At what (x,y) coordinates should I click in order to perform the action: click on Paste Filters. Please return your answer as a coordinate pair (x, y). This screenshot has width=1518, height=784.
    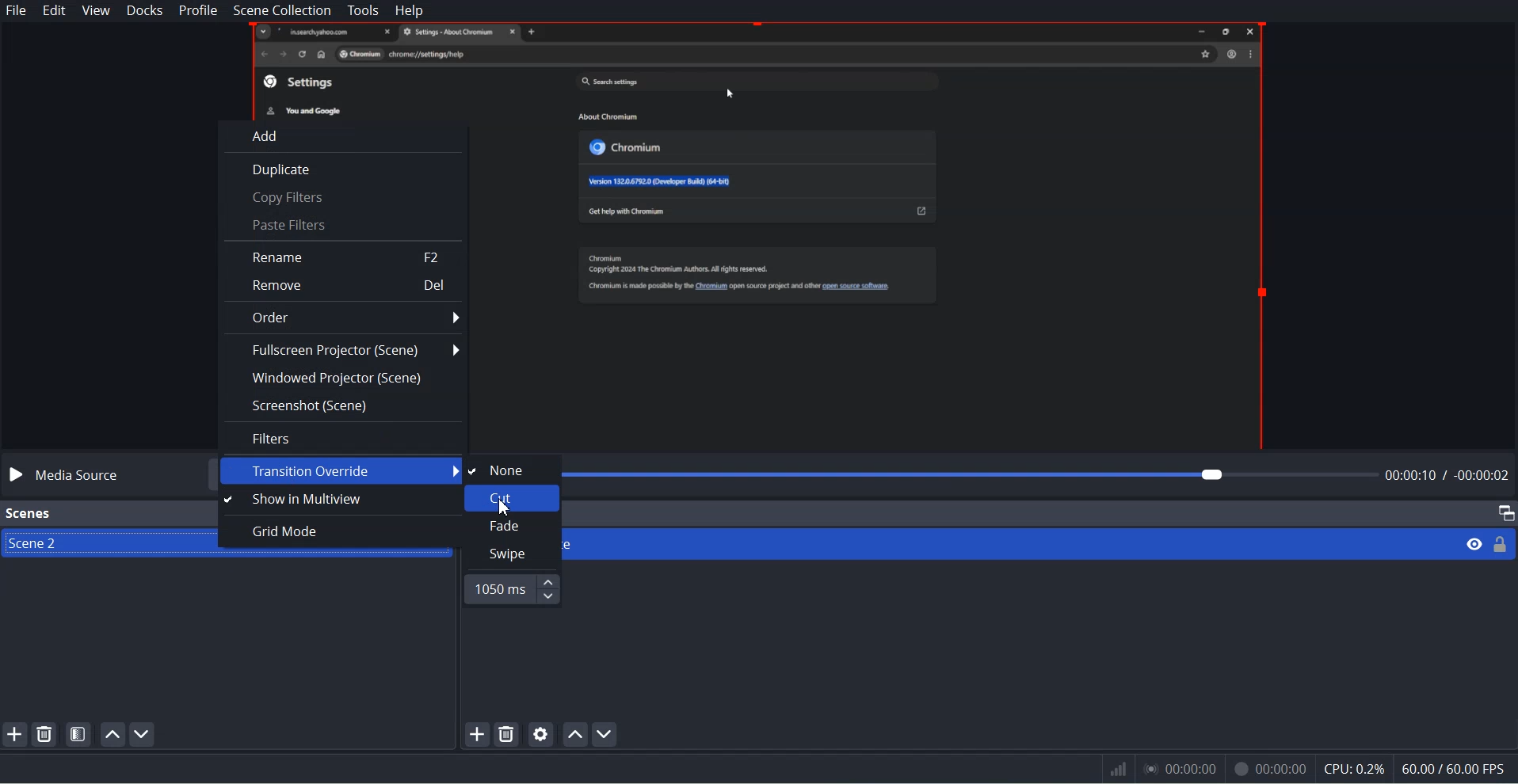
    Looking at the image, I should click on (341, 225).